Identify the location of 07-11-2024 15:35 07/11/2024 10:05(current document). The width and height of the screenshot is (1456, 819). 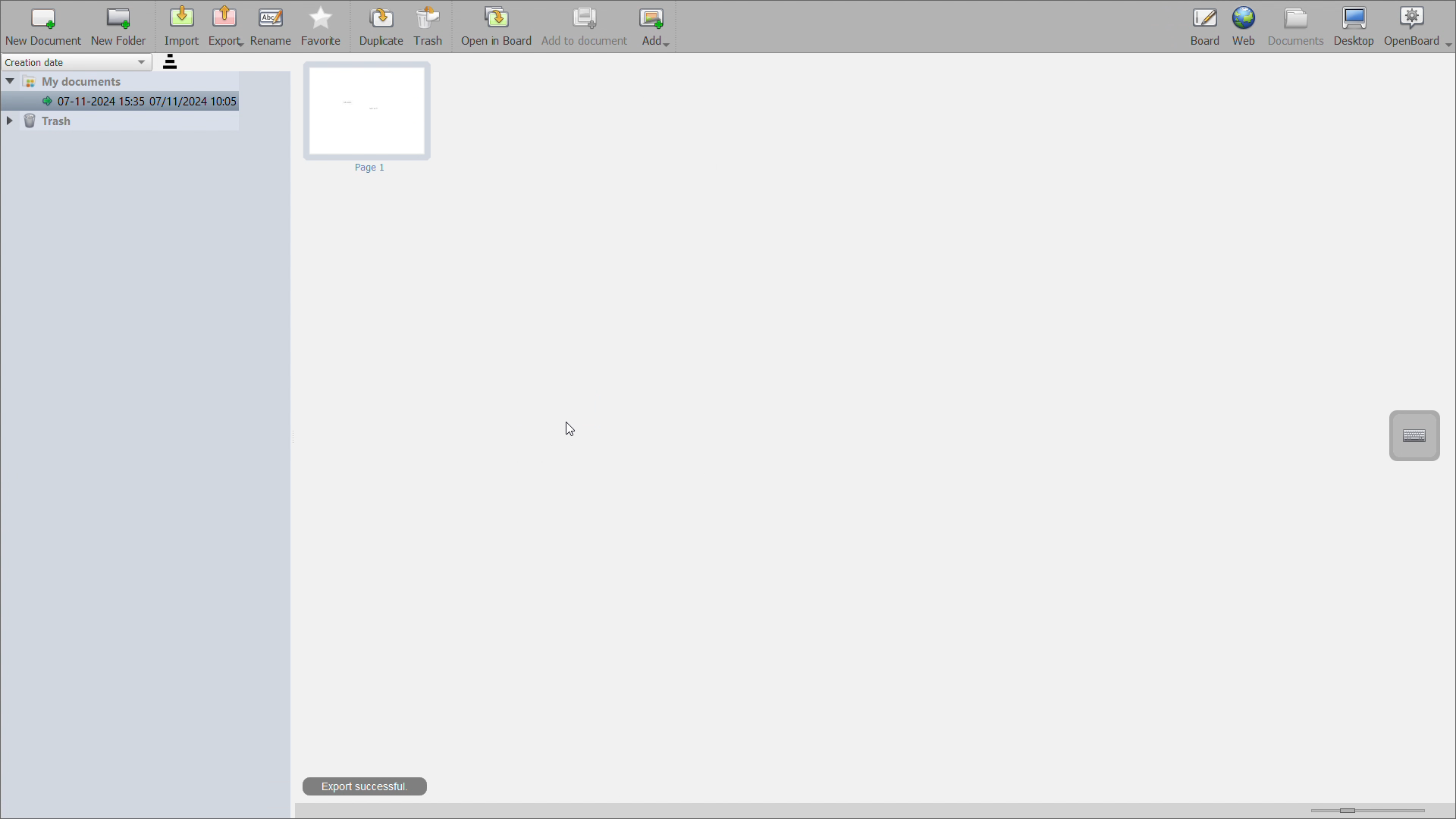
(121, 101).